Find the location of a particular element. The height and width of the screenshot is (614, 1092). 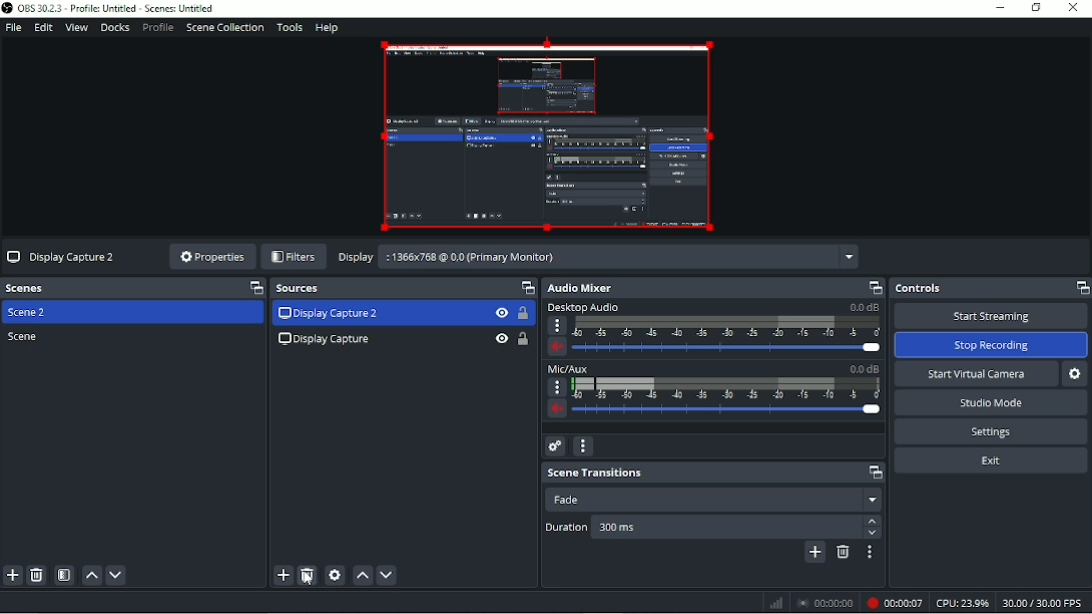

Studio Mode is located at coordinates (993, 403).